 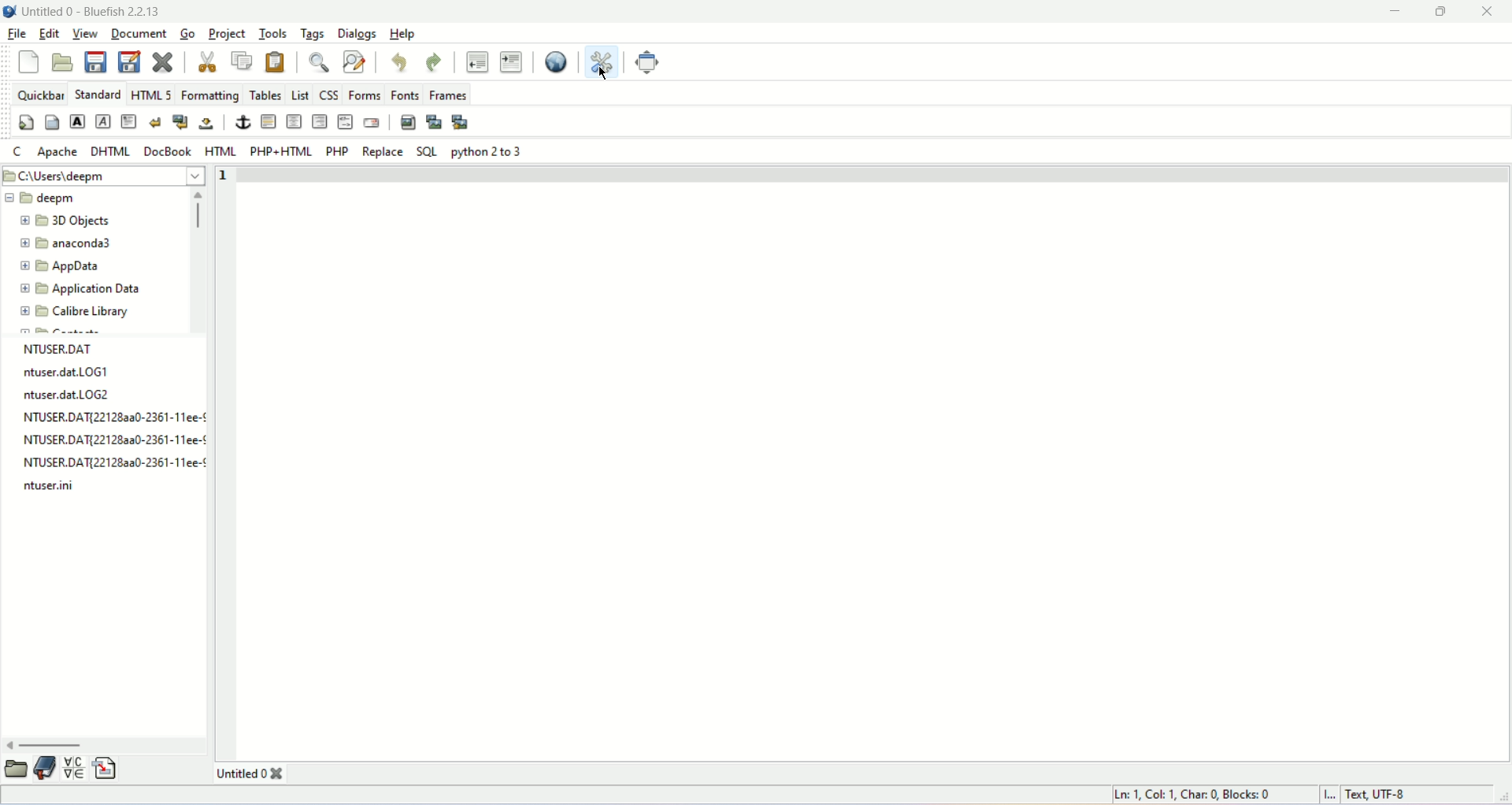 What do you see at coordinates (28, 62) in the screenshot?
I see `new` at bounding box center [28, 62].